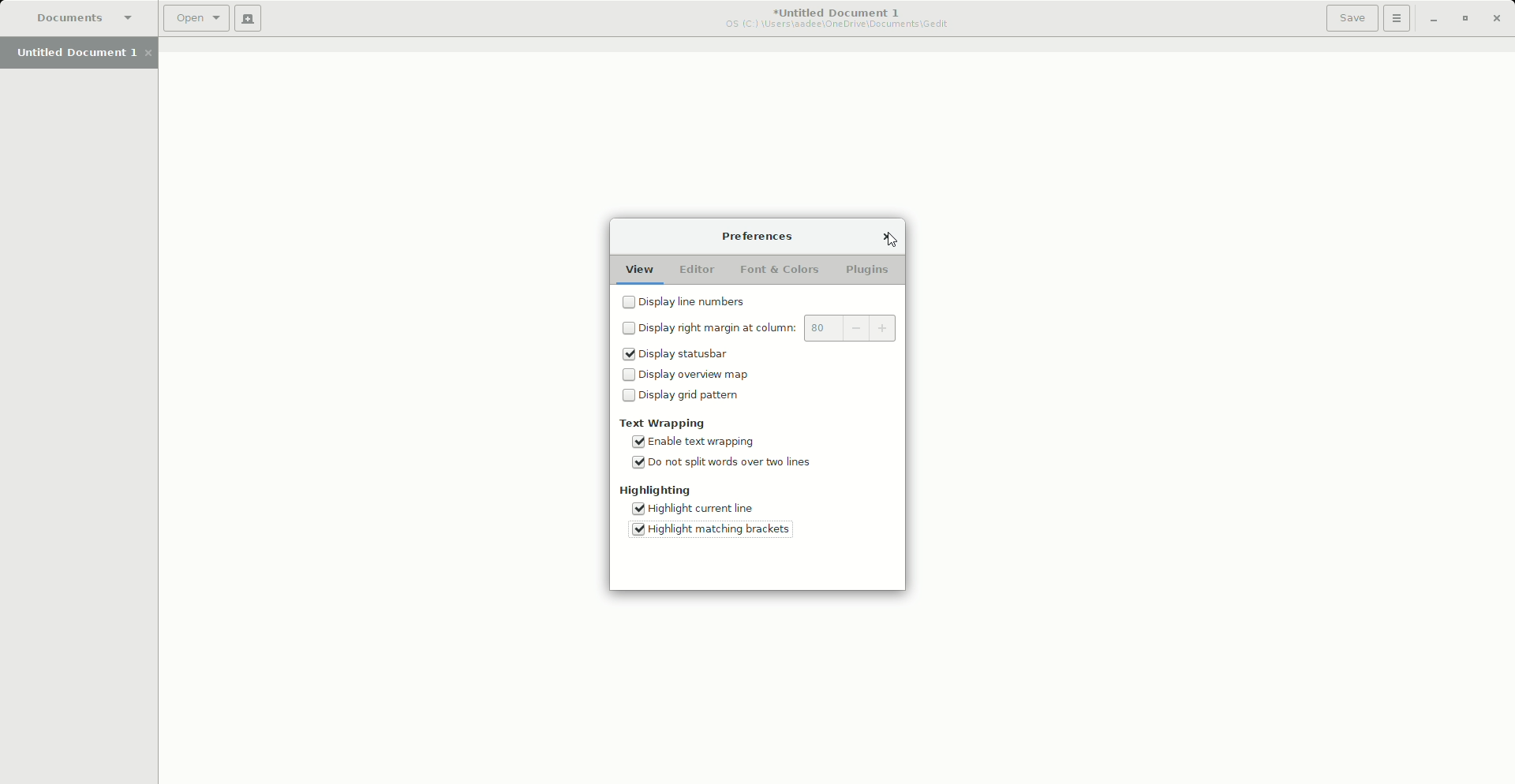 This screenshot has width=1515, height=784. Describe the element at coordinates (702, 511) in the screenshot. I see `Highlight current line` at that location.